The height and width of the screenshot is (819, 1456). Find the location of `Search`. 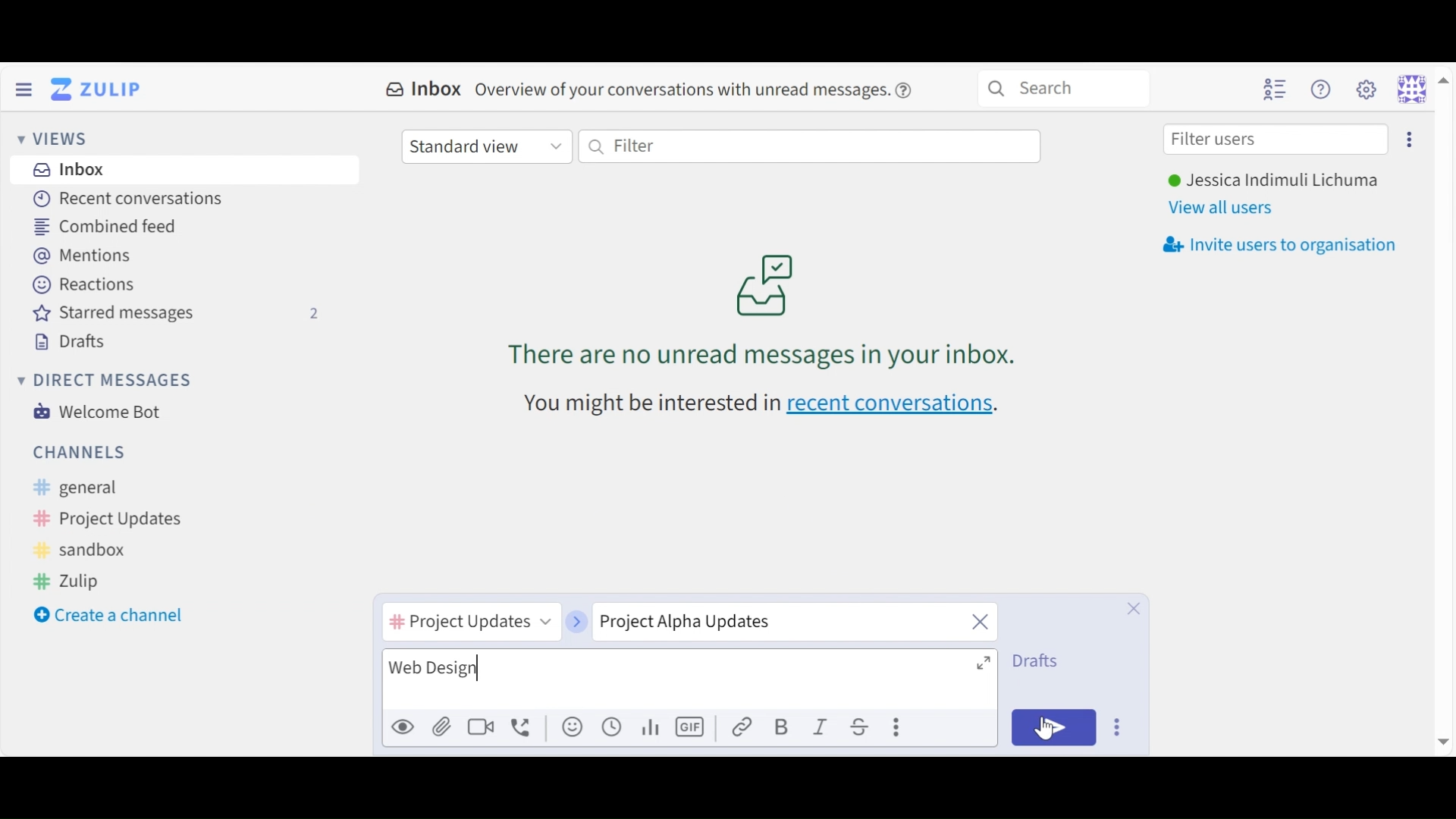

Search is located at coordinates (1063, 86).